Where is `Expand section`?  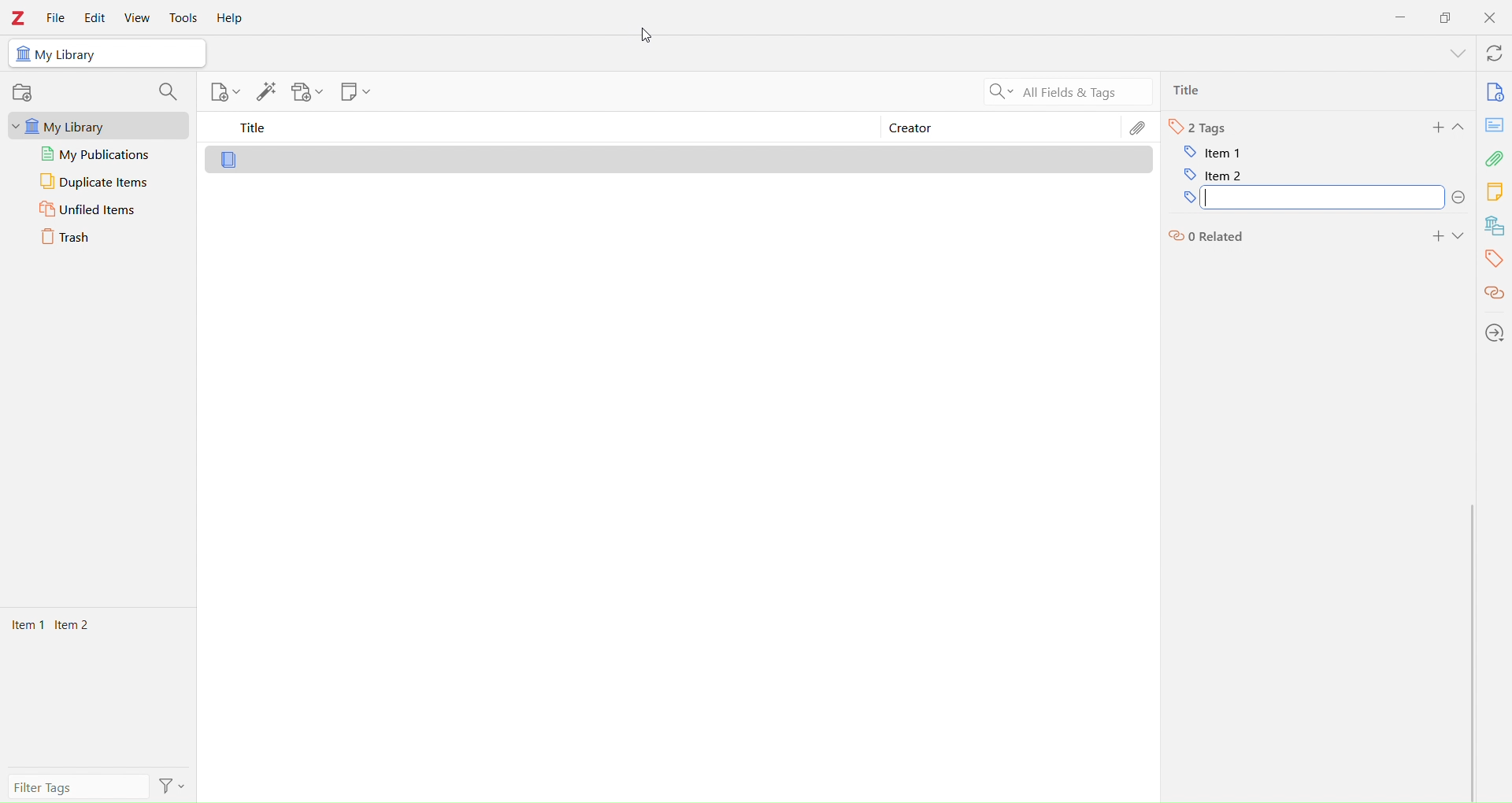
Expand section is located at coordinates (1462, 132).